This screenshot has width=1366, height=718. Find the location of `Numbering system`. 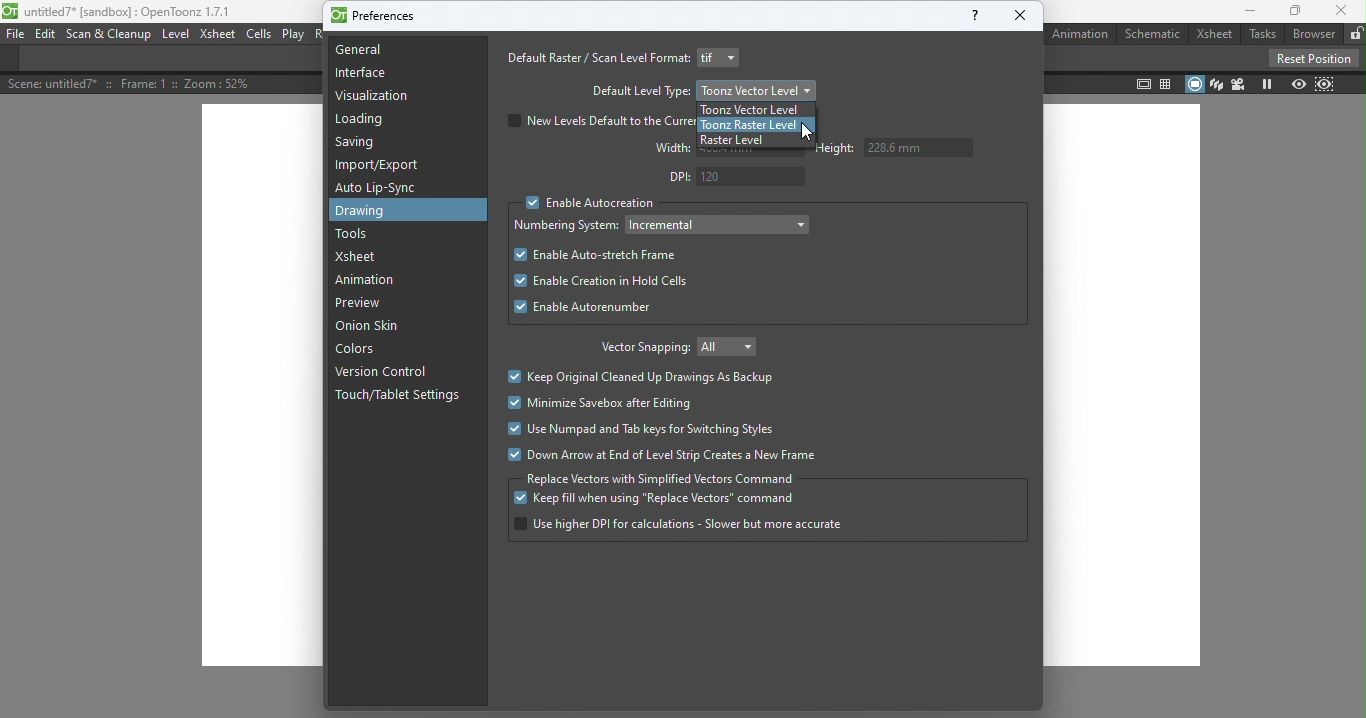

Numbering system is located at coordinates (566, 225).